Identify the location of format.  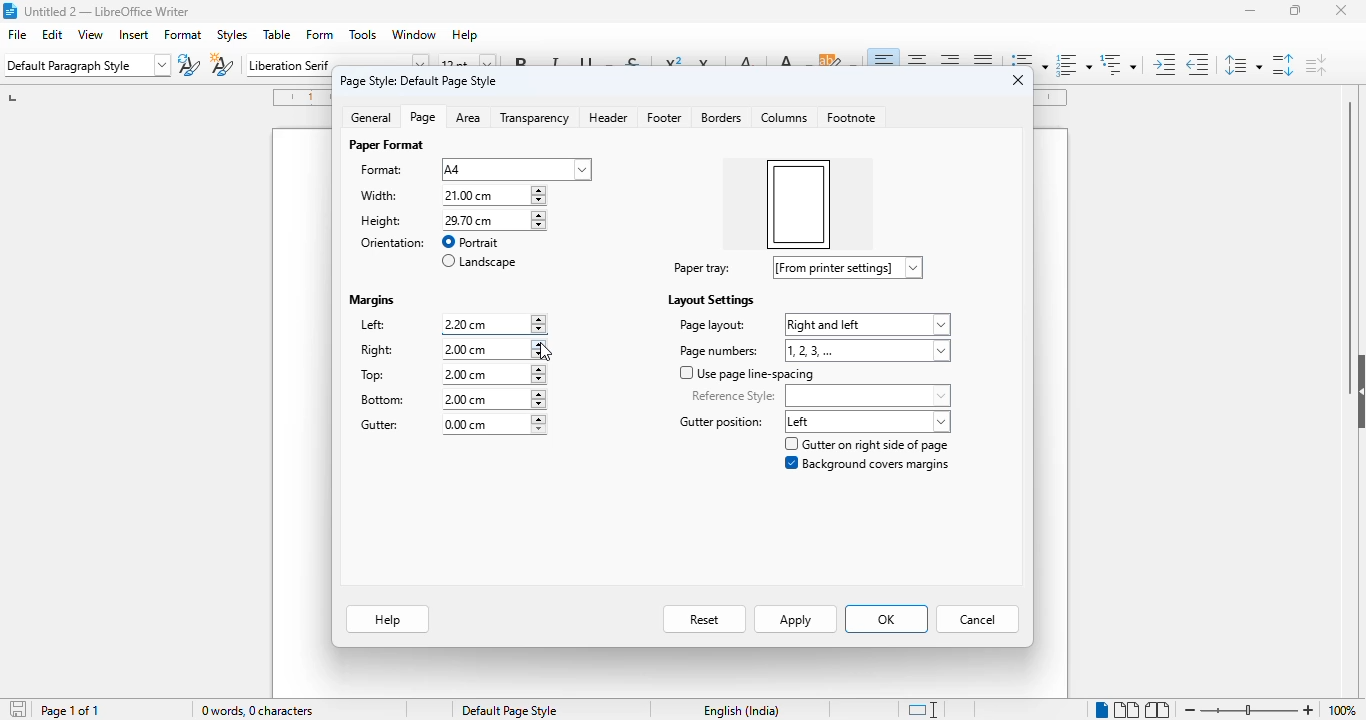
(382, 172).